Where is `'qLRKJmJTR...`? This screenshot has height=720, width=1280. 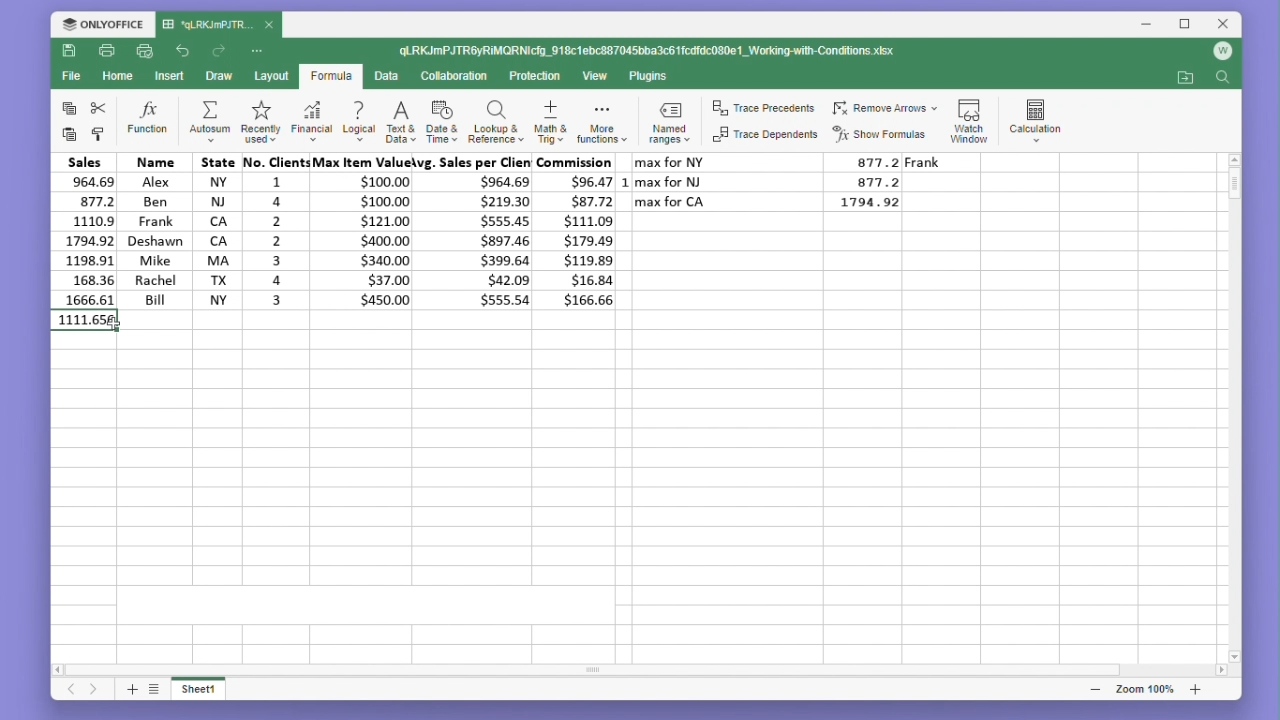
'qLRKJmJTR... is located at coordinates (206, 25).